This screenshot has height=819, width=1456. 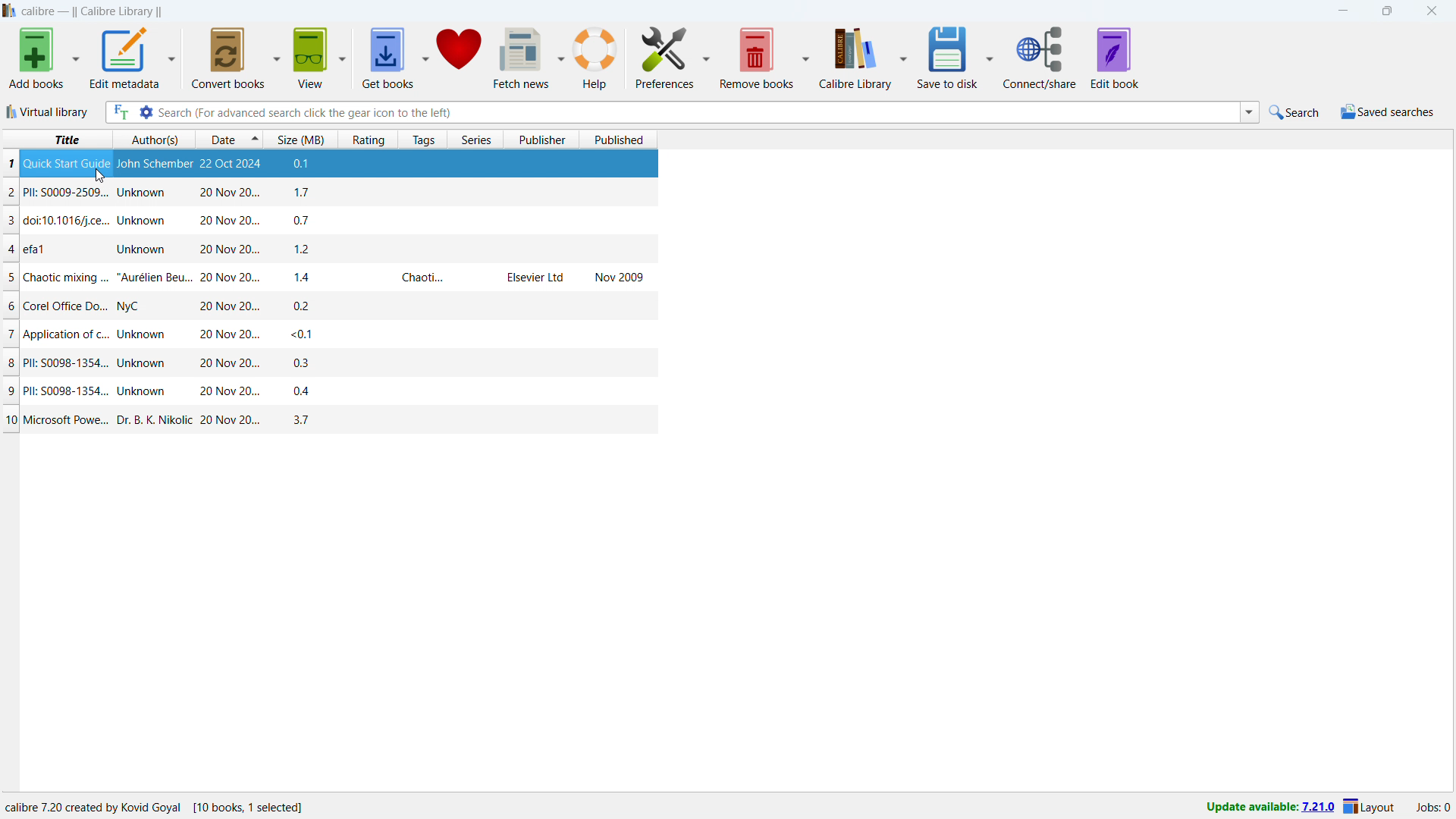 What do you see at coordinates (665, 57) in the screenshot?
I see `preferences` at bounding box center [665, 57].